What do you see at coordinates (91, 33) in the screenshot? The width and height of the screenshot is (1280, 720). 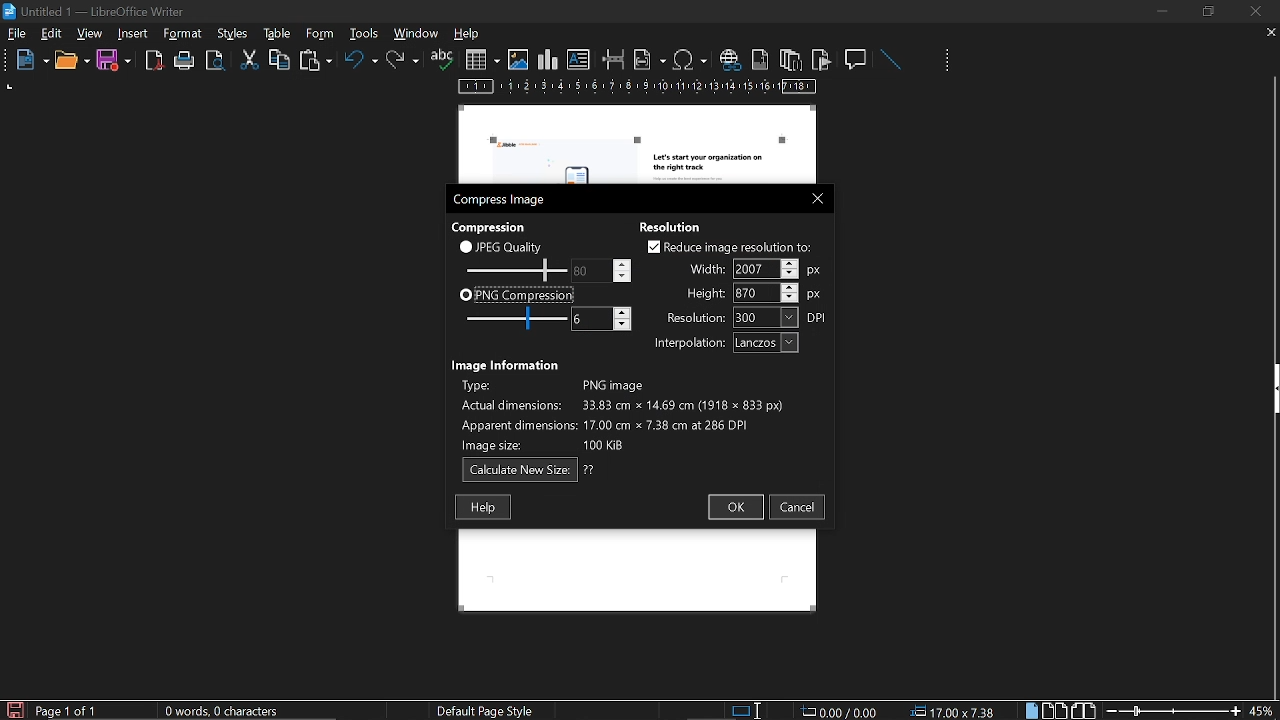 I see `view` at bounding box center [91, 33].